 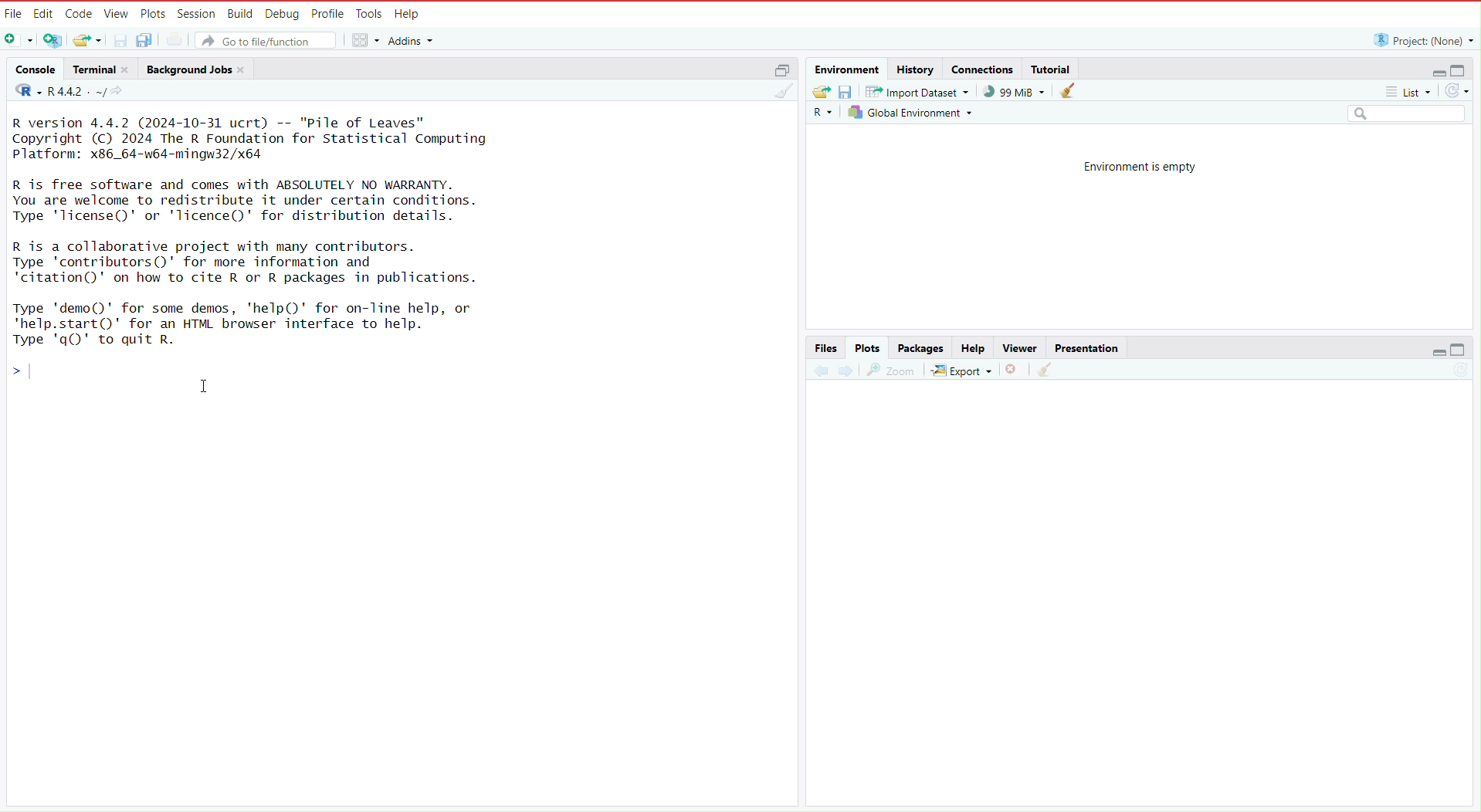 I want to click on workspace panes, so click(x=366, y=41).